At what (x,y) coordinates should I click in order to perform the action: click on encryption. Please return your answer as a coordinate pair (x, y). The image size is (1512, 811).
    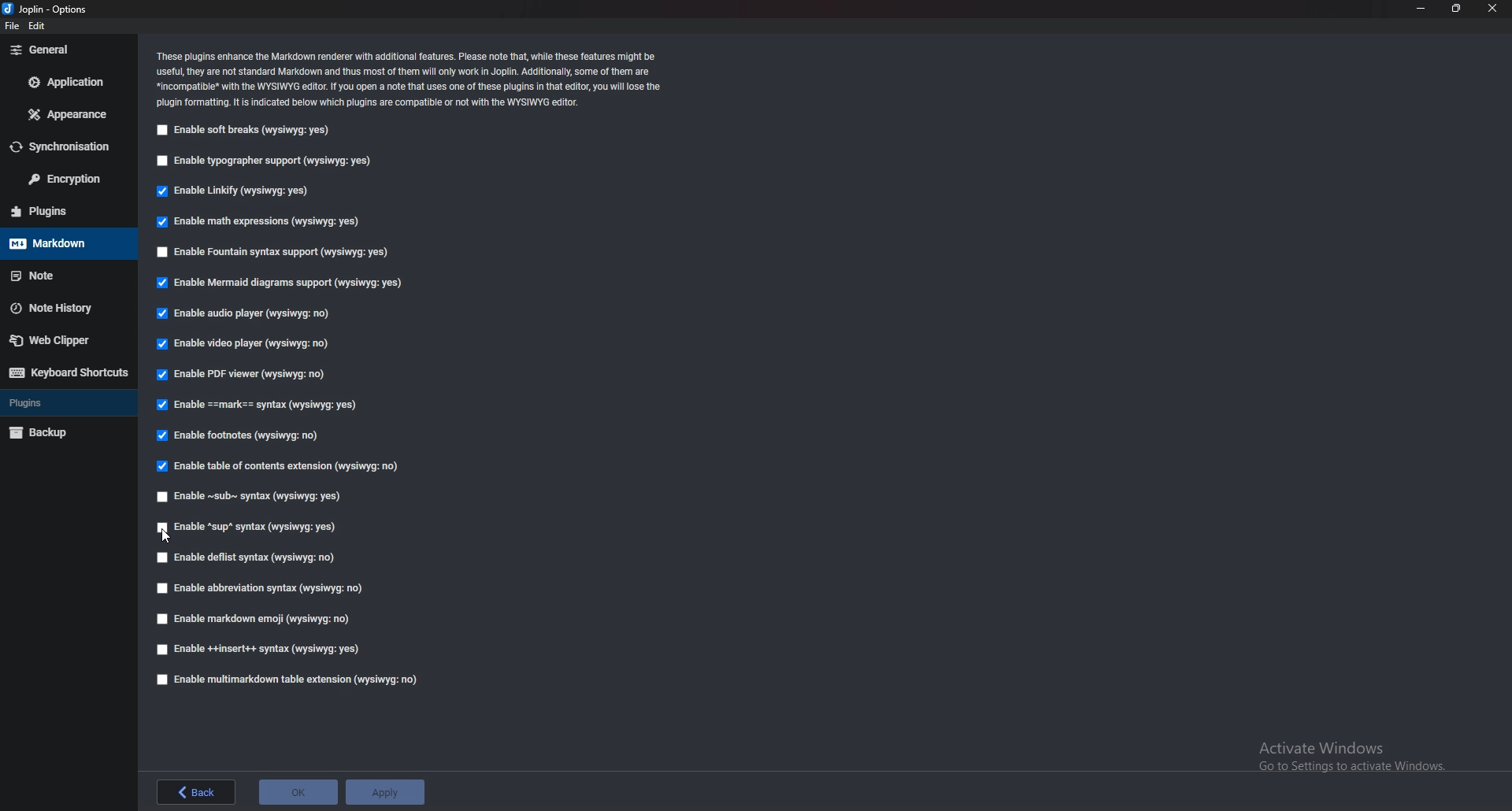
    Looking at the image, I should click on (63, 178).